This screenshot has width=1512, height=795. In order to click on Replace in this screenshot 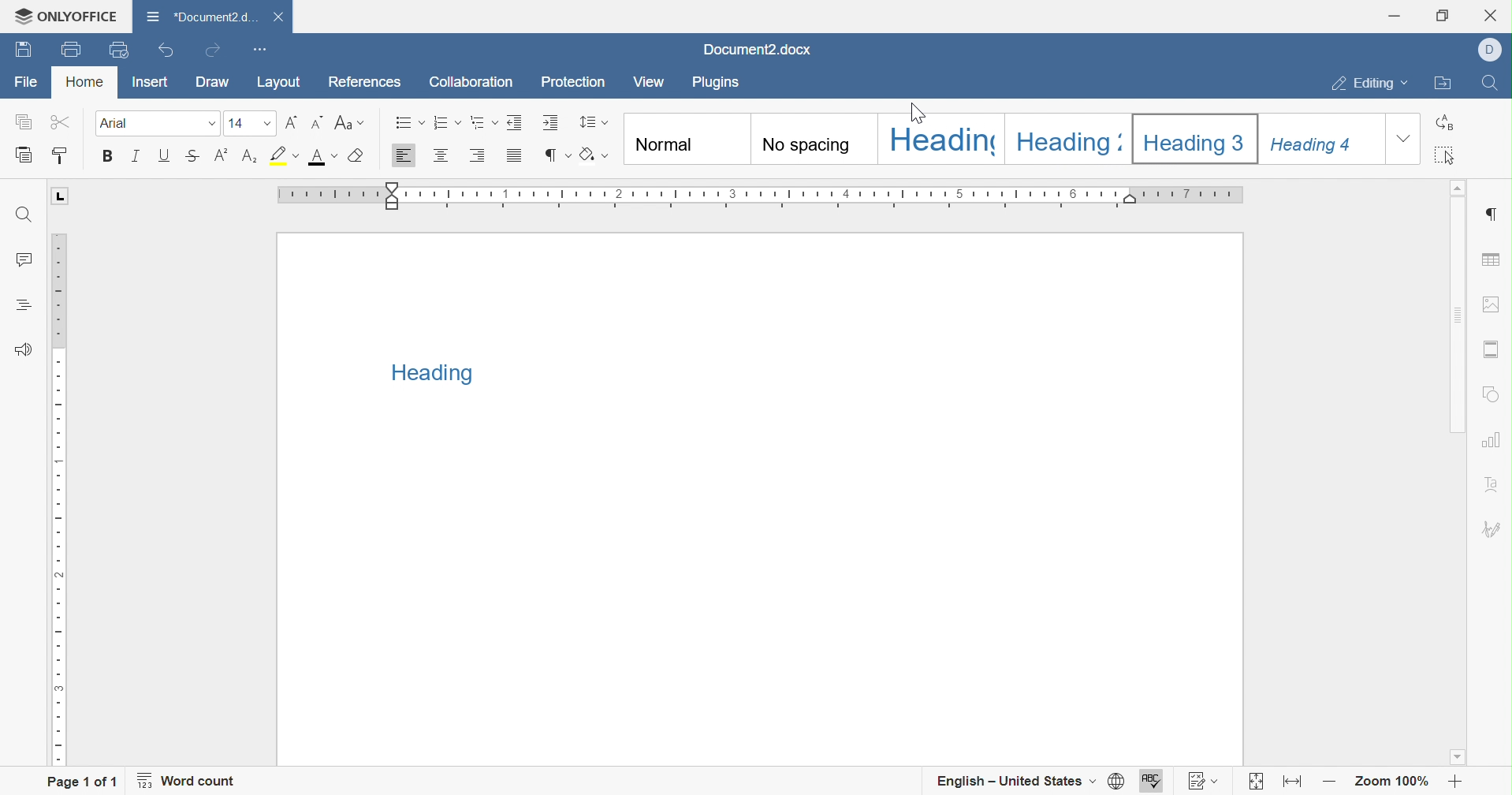, I will do `click(1443, 121)`.